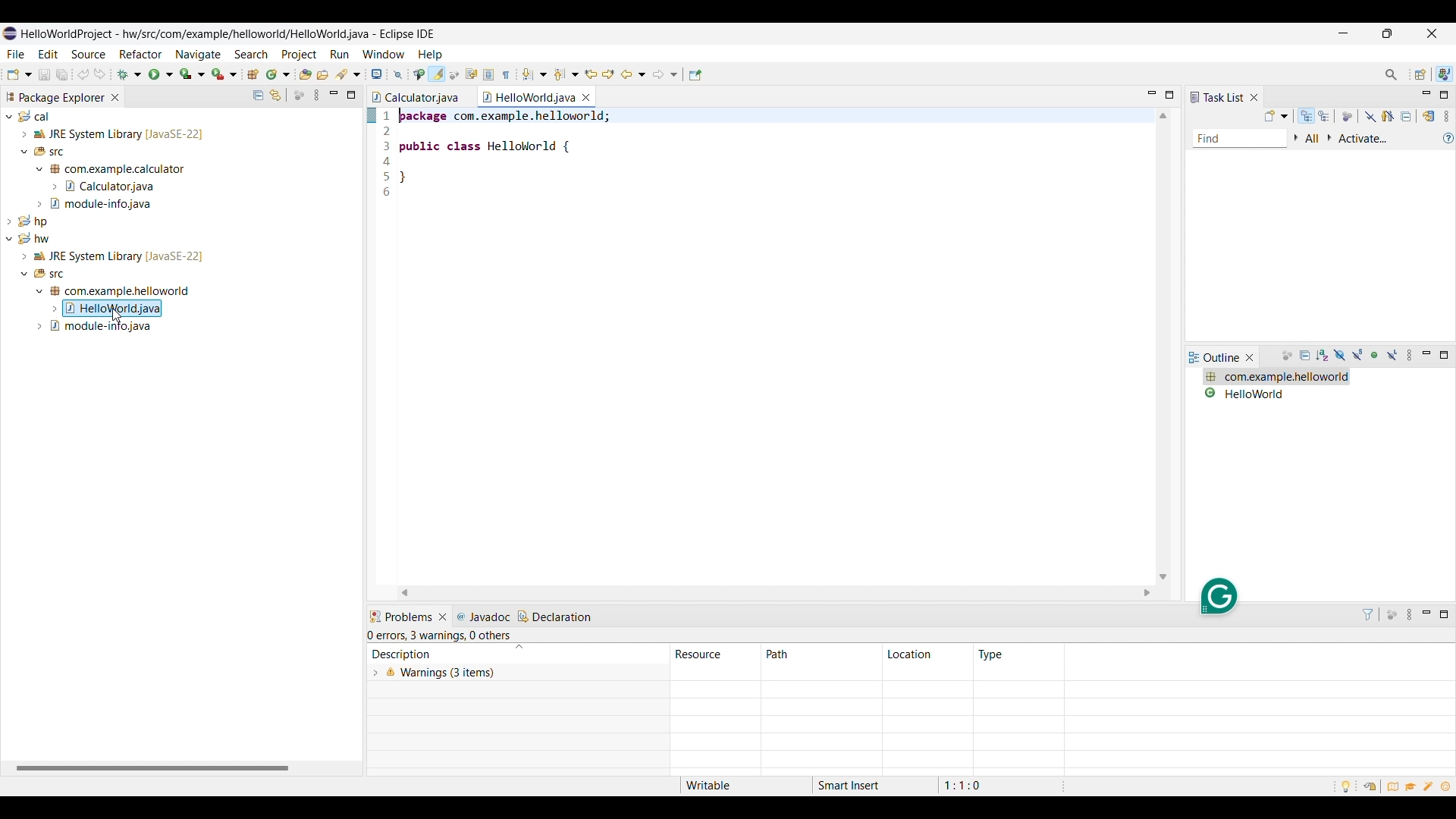 The height and width of the screenshot is (819, 1456). I want to click on Resource, so click(716, 654).